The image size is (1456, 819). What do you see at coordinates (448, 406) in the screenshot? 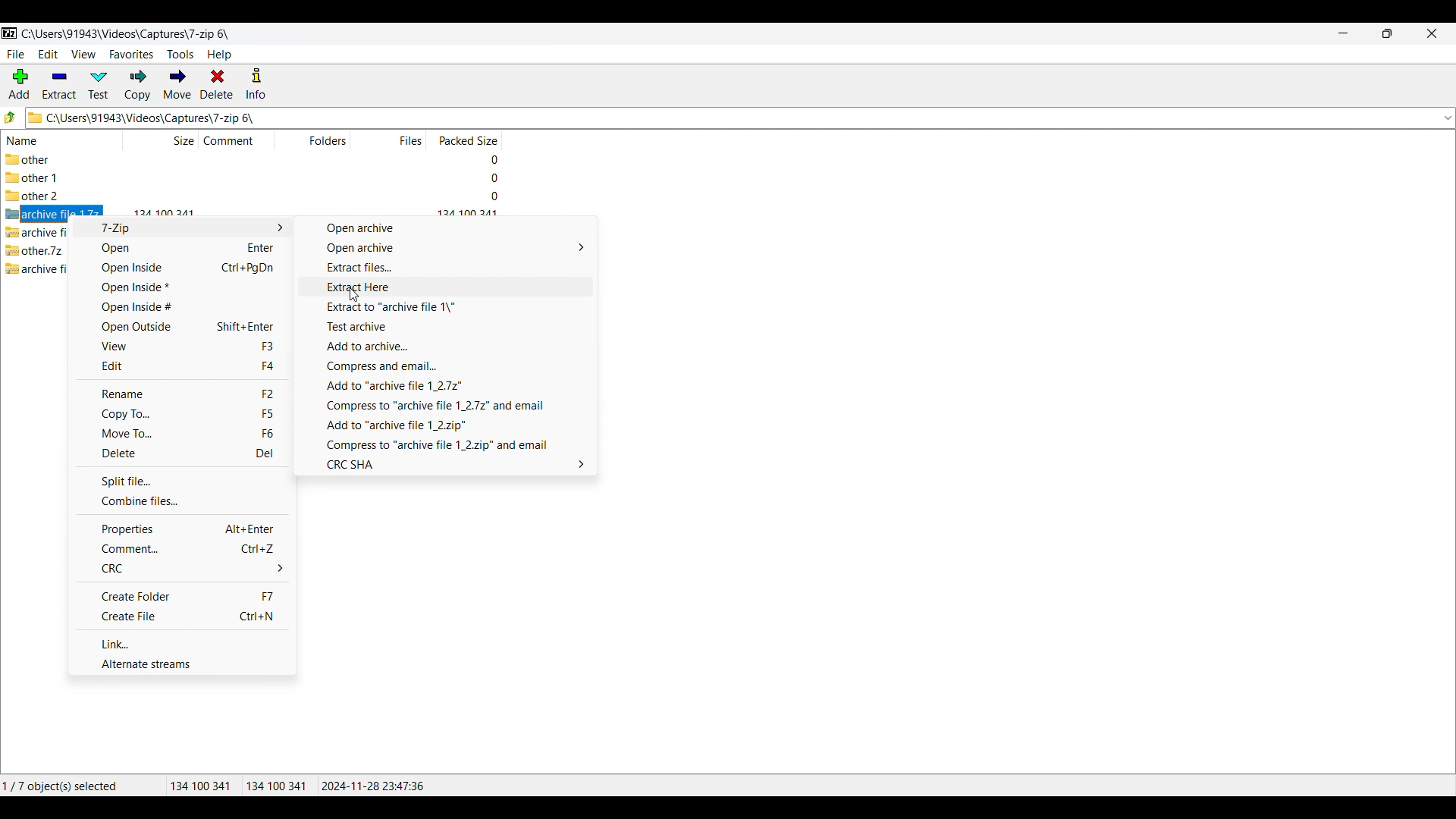
I see `Compress to "archive file 1_2.7z" and email` at bounding box center [448, 406].